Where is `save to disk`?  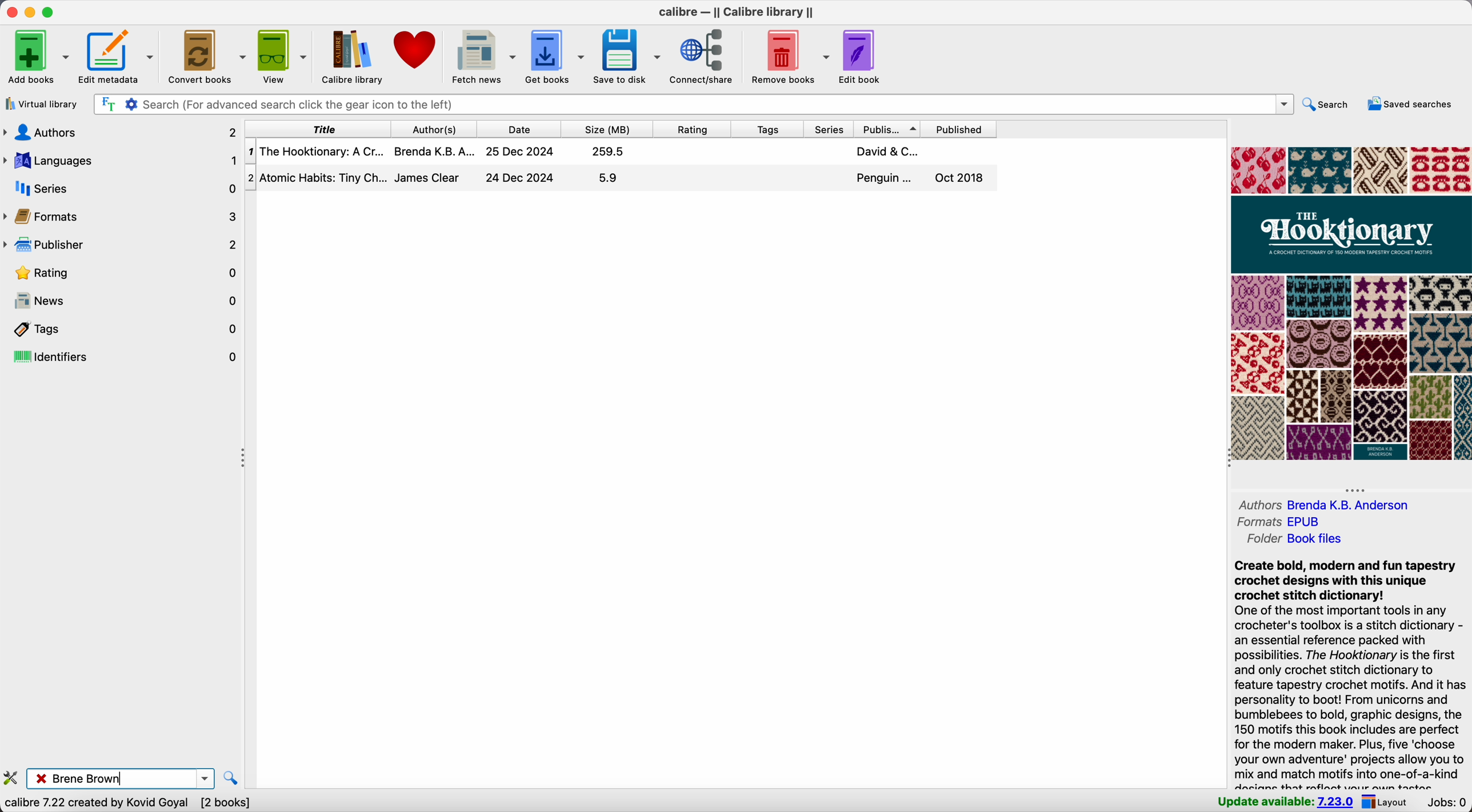 save to disk is located at coordinates (629, 58).